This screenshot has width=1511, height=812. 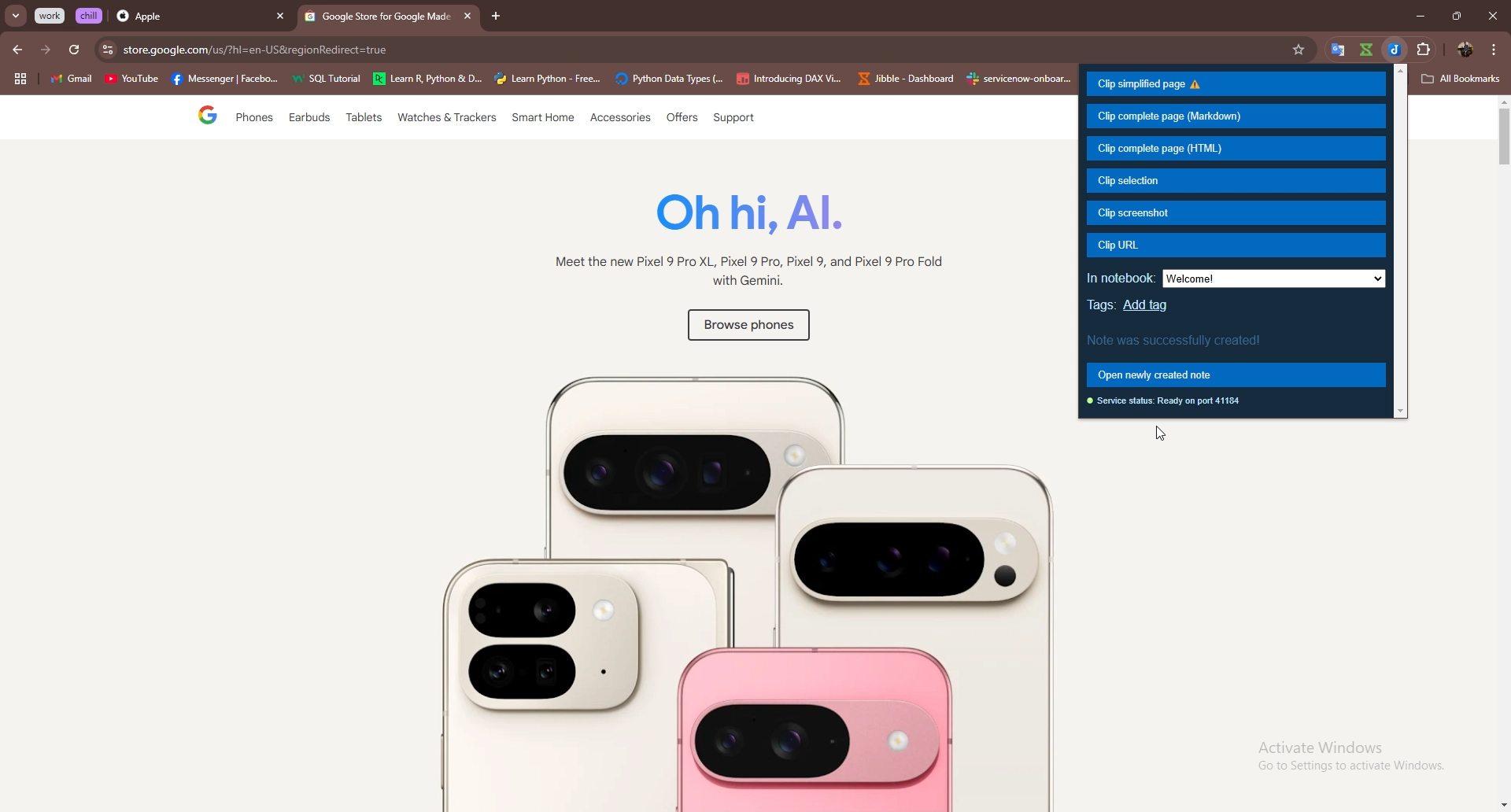 What do you see at coordinates (131, 81) in the screenshot?
I see `YouTube` at bounding box center [131, 81].